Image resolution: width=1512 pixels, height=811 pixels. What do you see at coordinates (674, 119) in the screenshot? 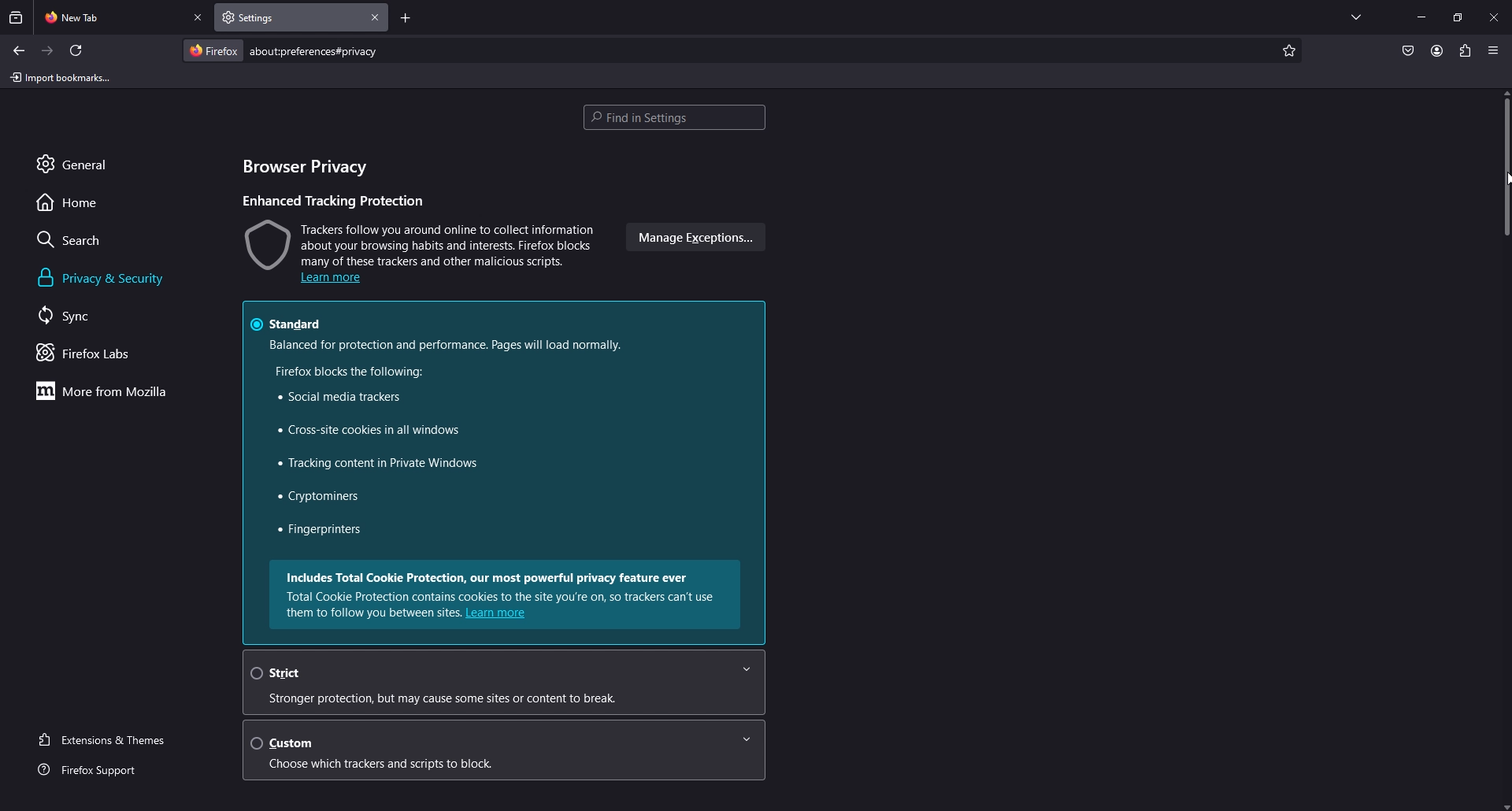
I see `search settings` at bounding box center [674, 119].